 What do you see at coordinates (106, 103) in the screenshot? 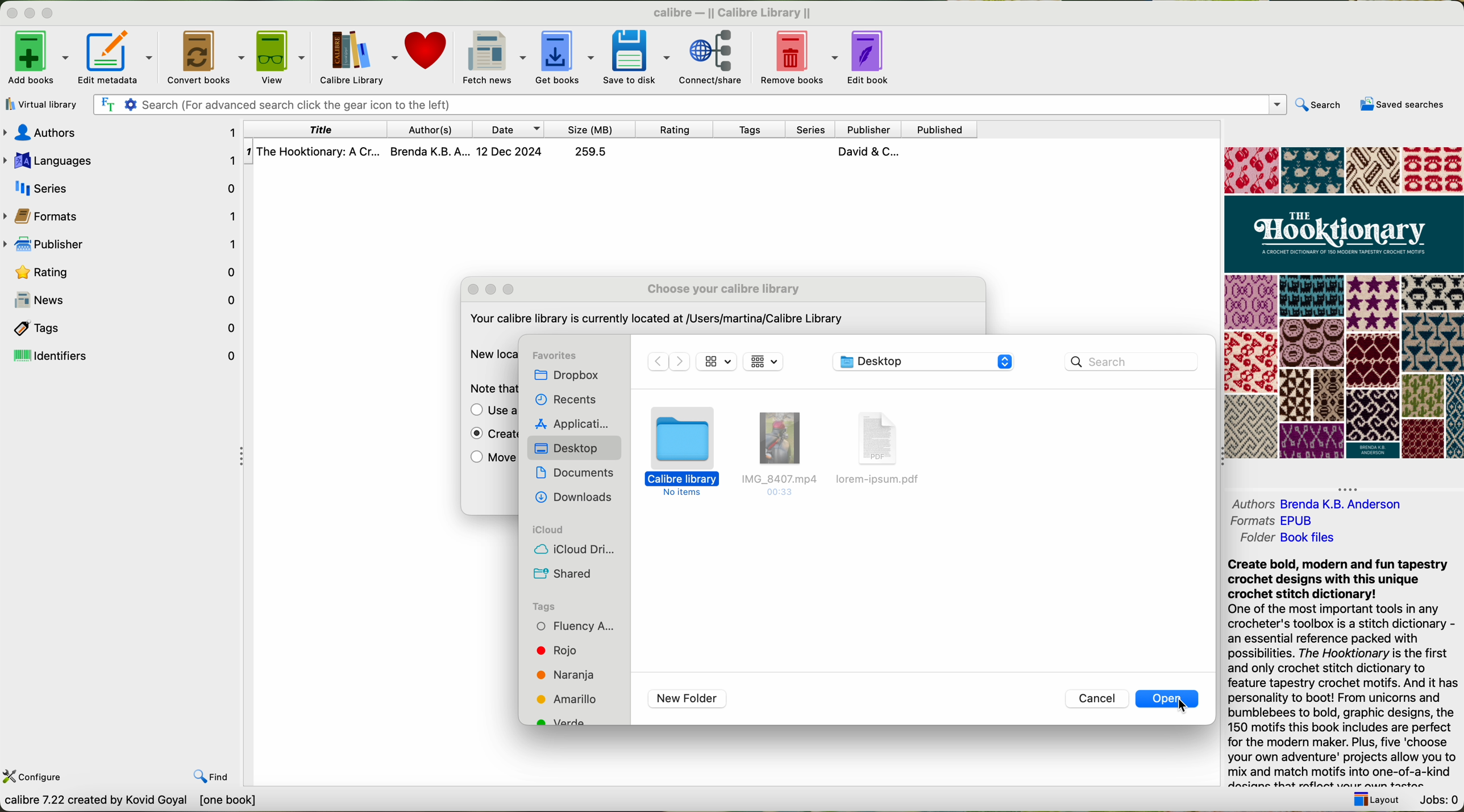
I see `Find the text` at bounding box center [106, 103].